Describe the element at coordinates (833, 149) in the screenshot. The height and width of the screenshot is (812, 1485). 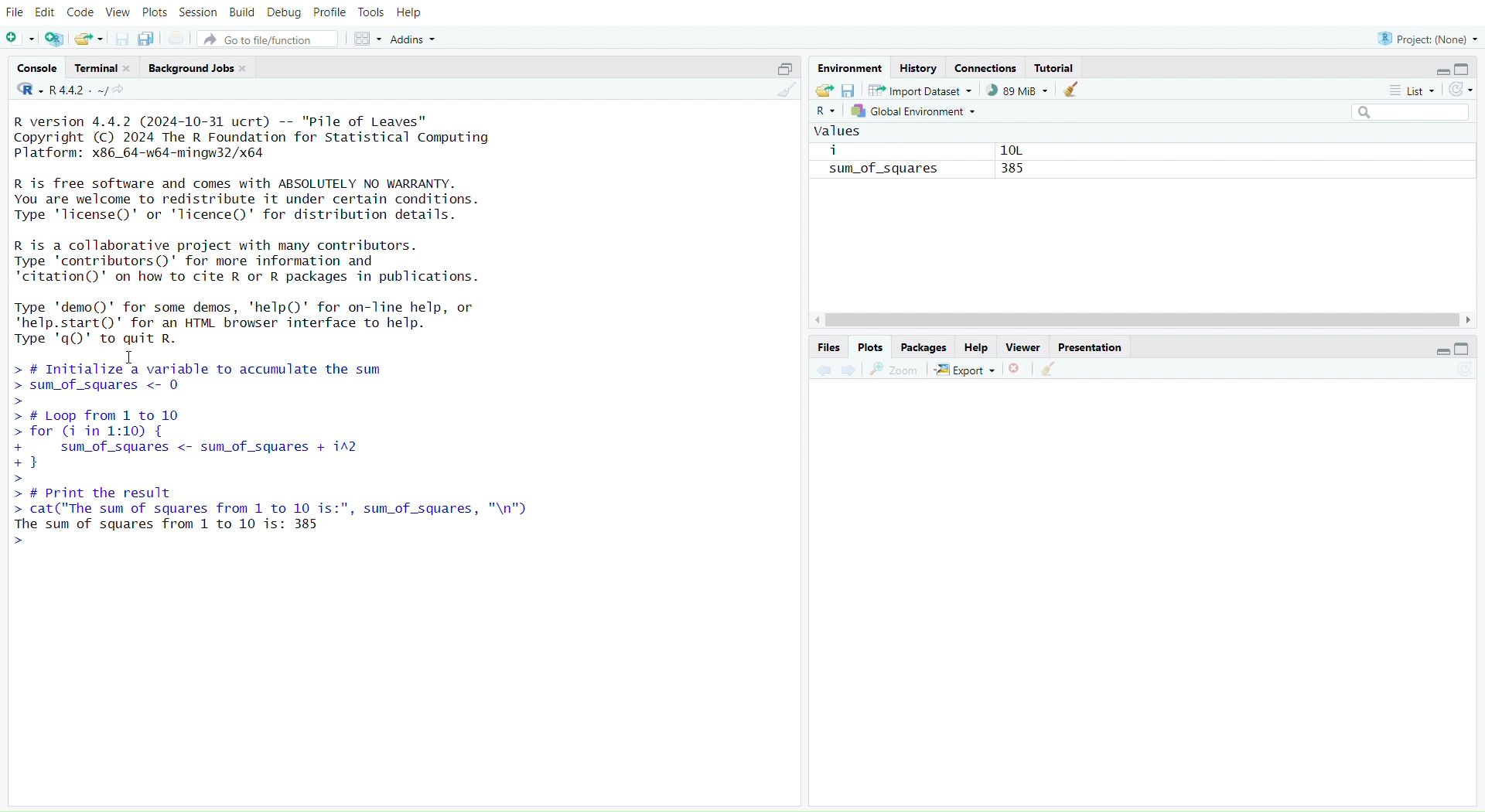
I see `i` at that location.